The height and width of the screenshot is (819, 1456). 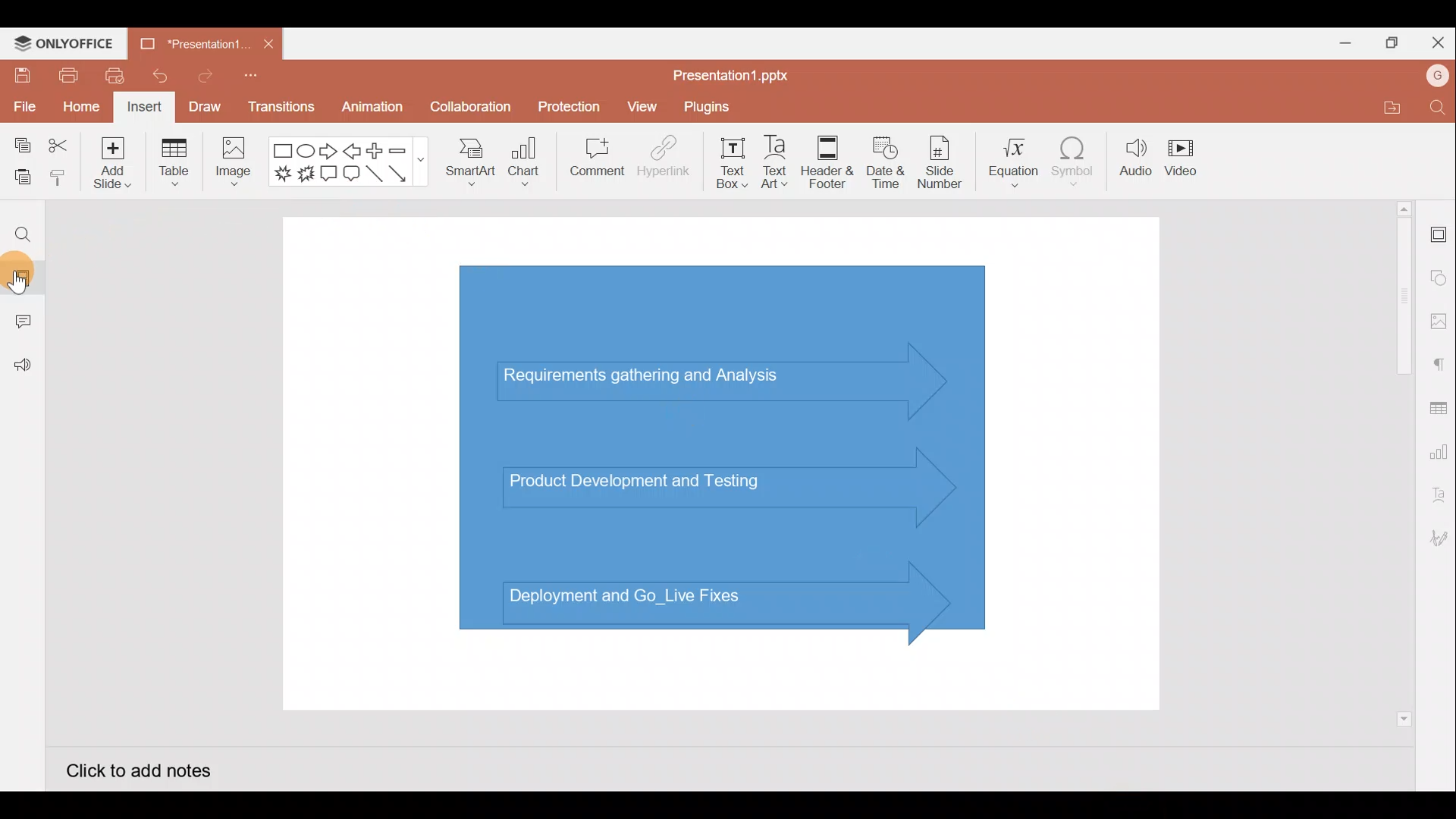 I want to click on Transitions, so click(x=279, y=106).